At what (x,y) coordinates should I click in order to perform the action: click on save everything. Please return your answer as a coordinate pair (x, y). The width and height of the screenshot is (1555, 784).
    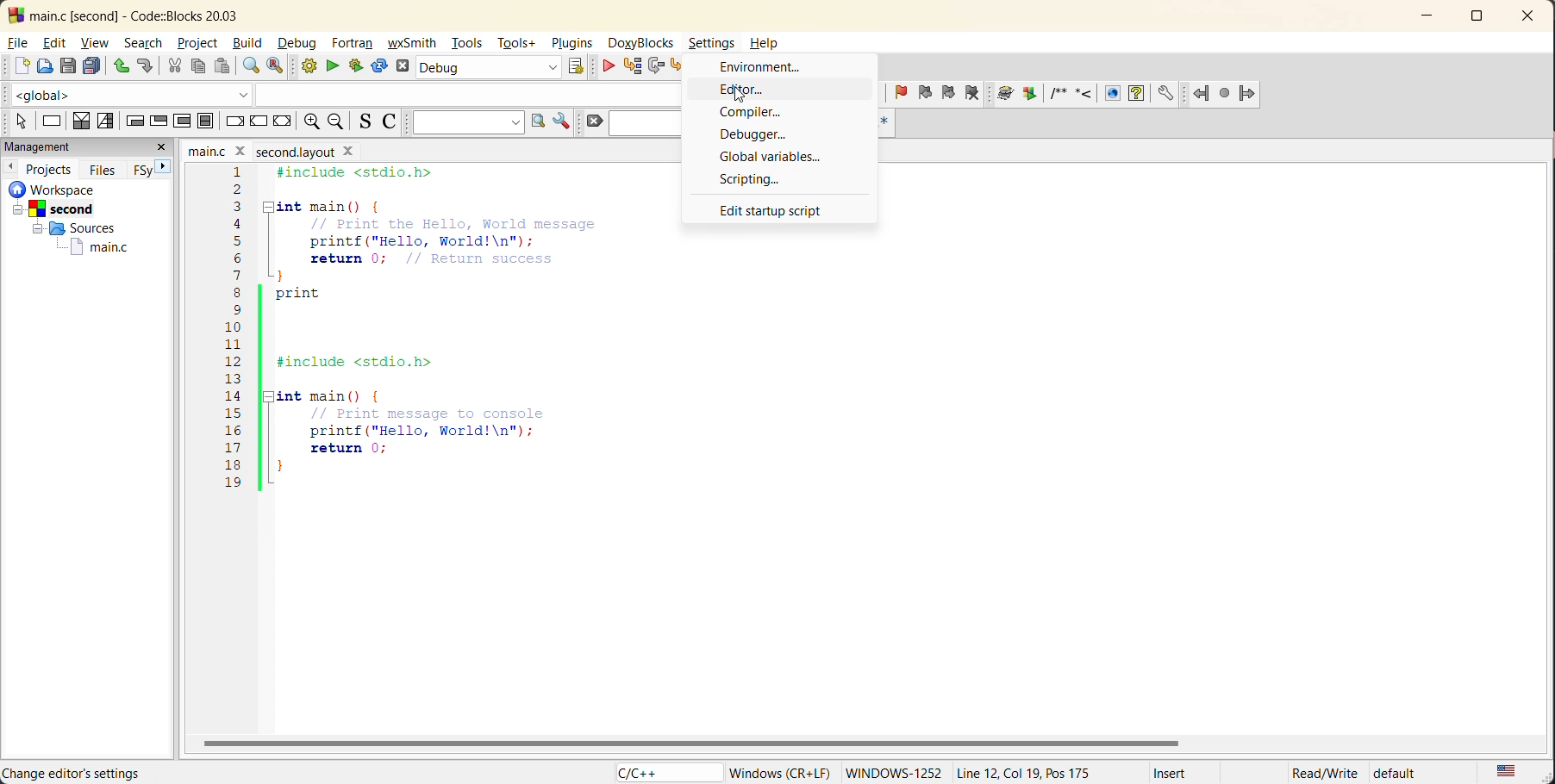
    Looking at the image, I should click on (91, 65).